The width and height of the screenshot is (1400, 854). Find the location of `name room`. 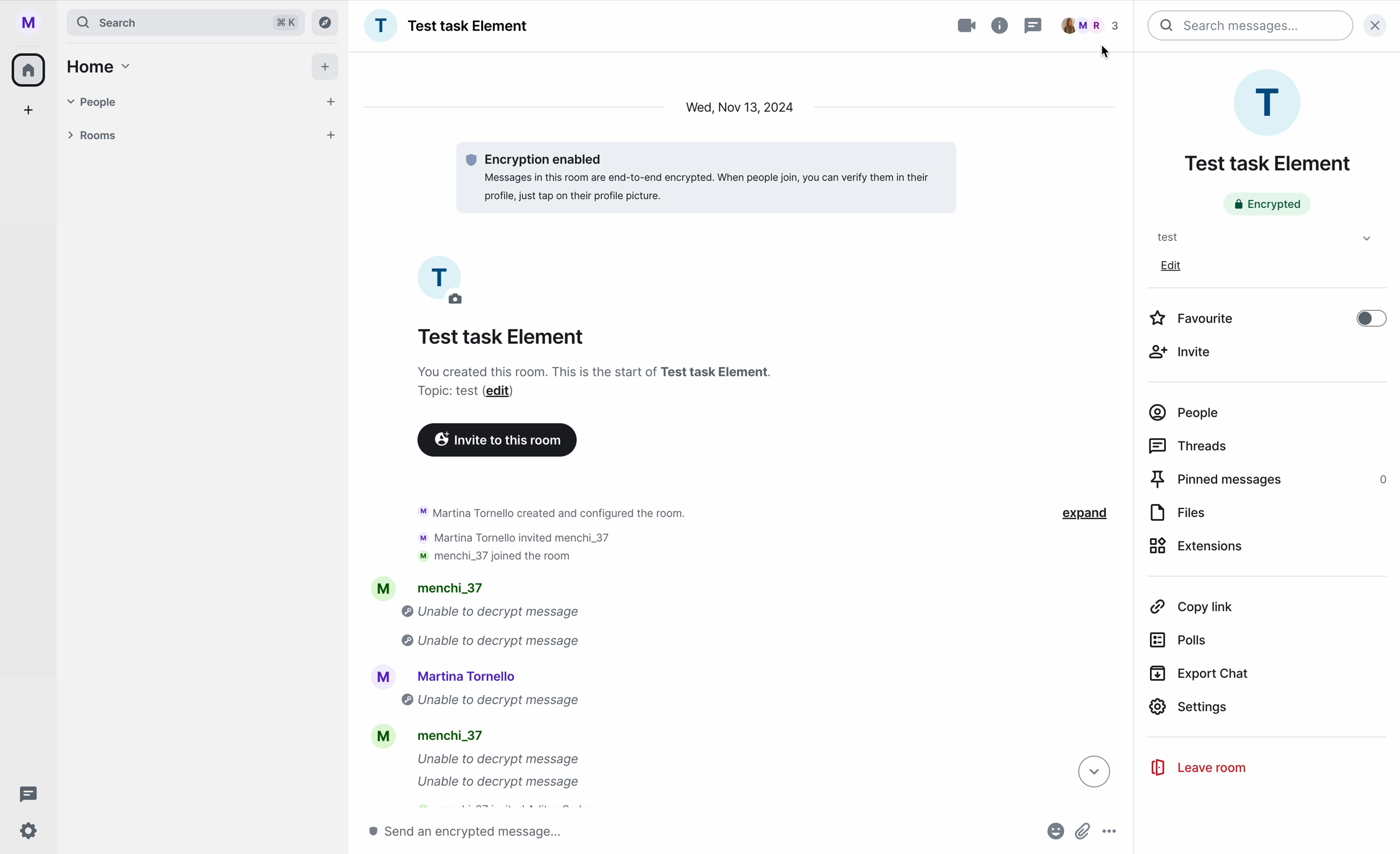

name room is located at coordinates (1267, 164).